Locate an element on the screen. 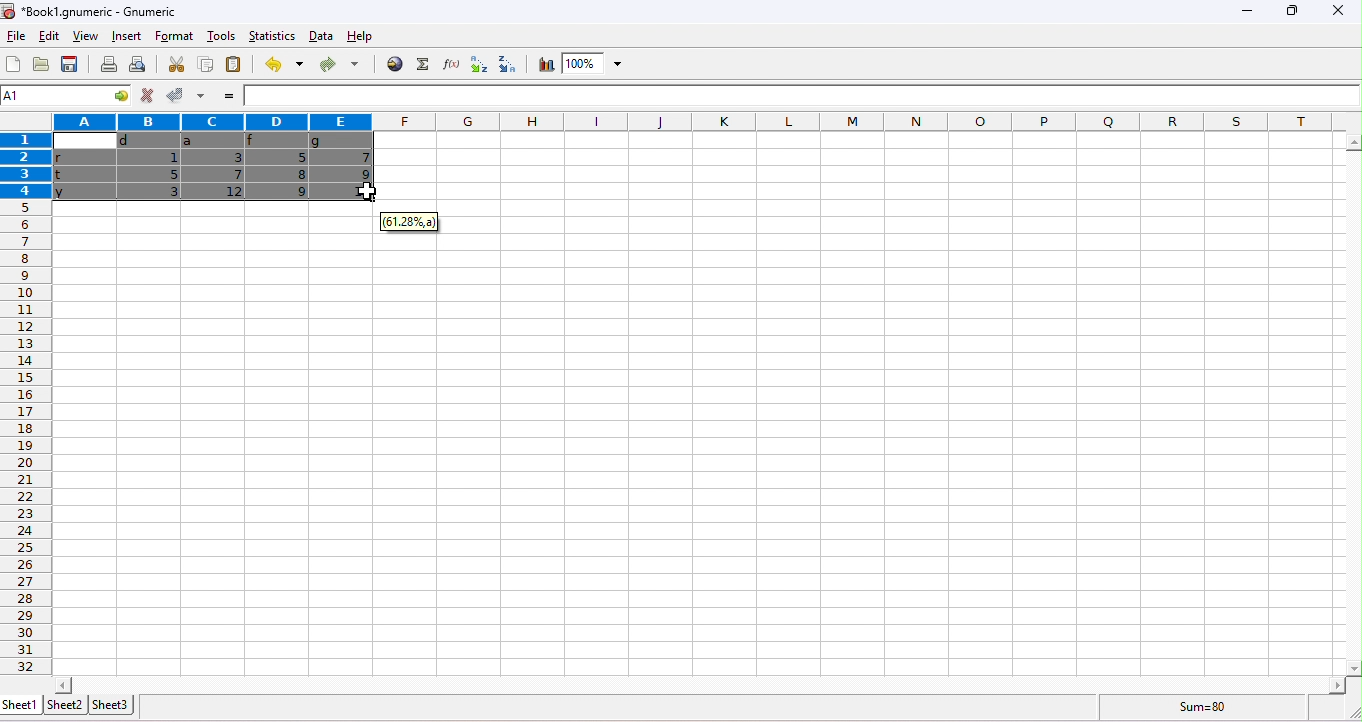 The image size is (1362, 722). save is located at coordinates (70, 63).